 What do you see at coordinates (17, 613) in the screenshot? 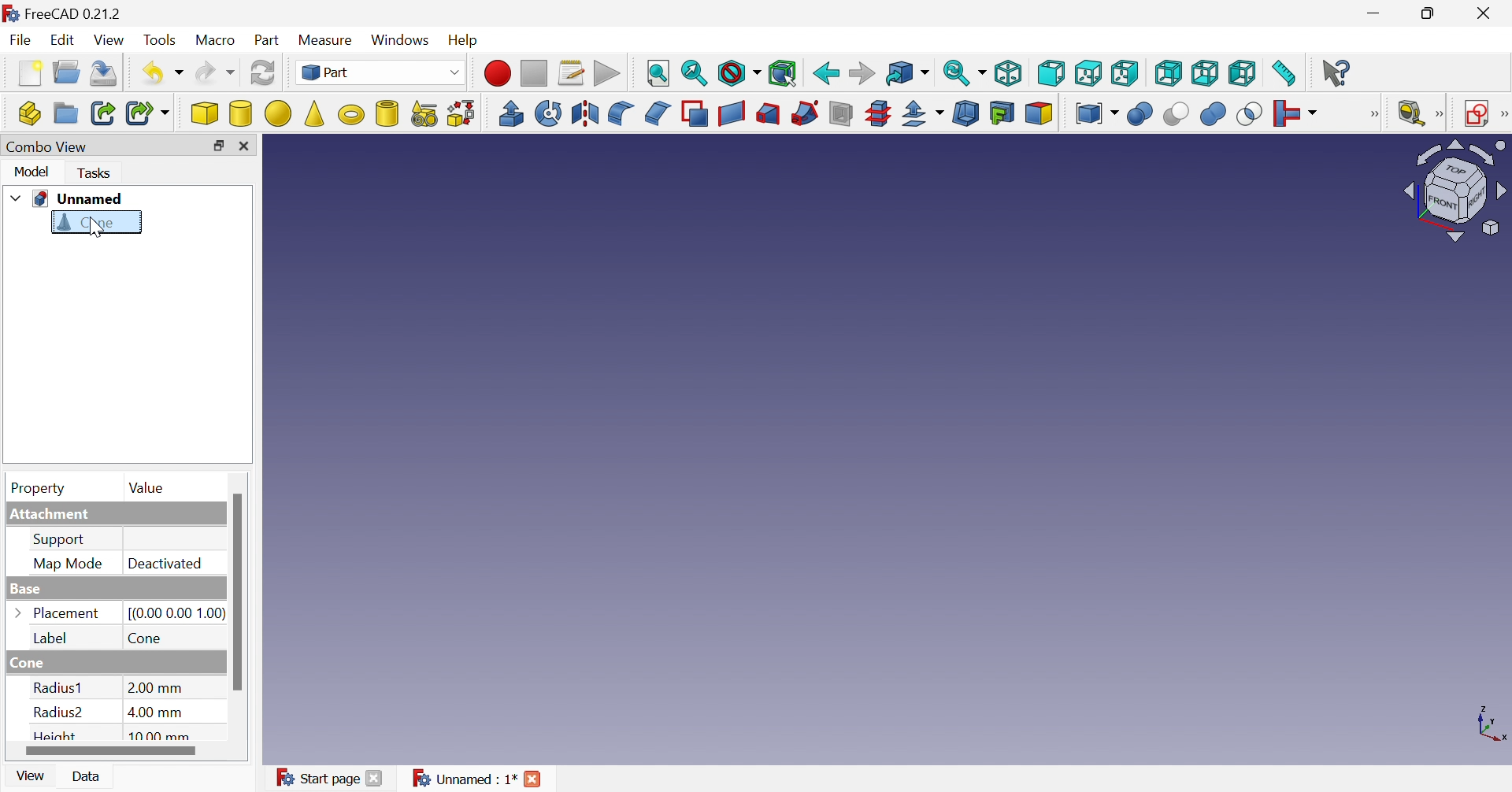
I see `Arrow` at bounding box center [17, 613].